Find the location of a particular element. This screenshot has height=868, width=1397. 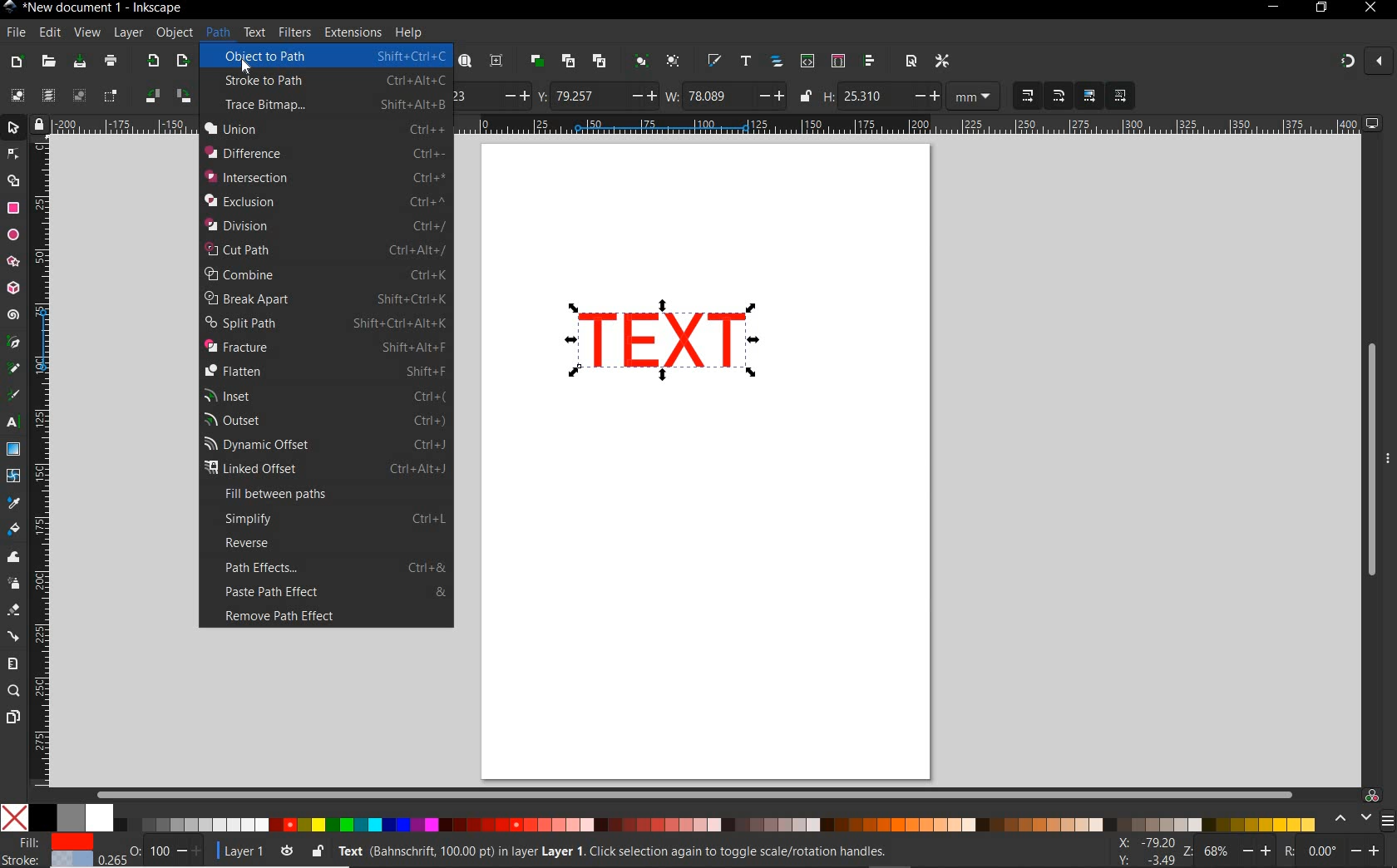

PATH is located at coordinates (216, 32).